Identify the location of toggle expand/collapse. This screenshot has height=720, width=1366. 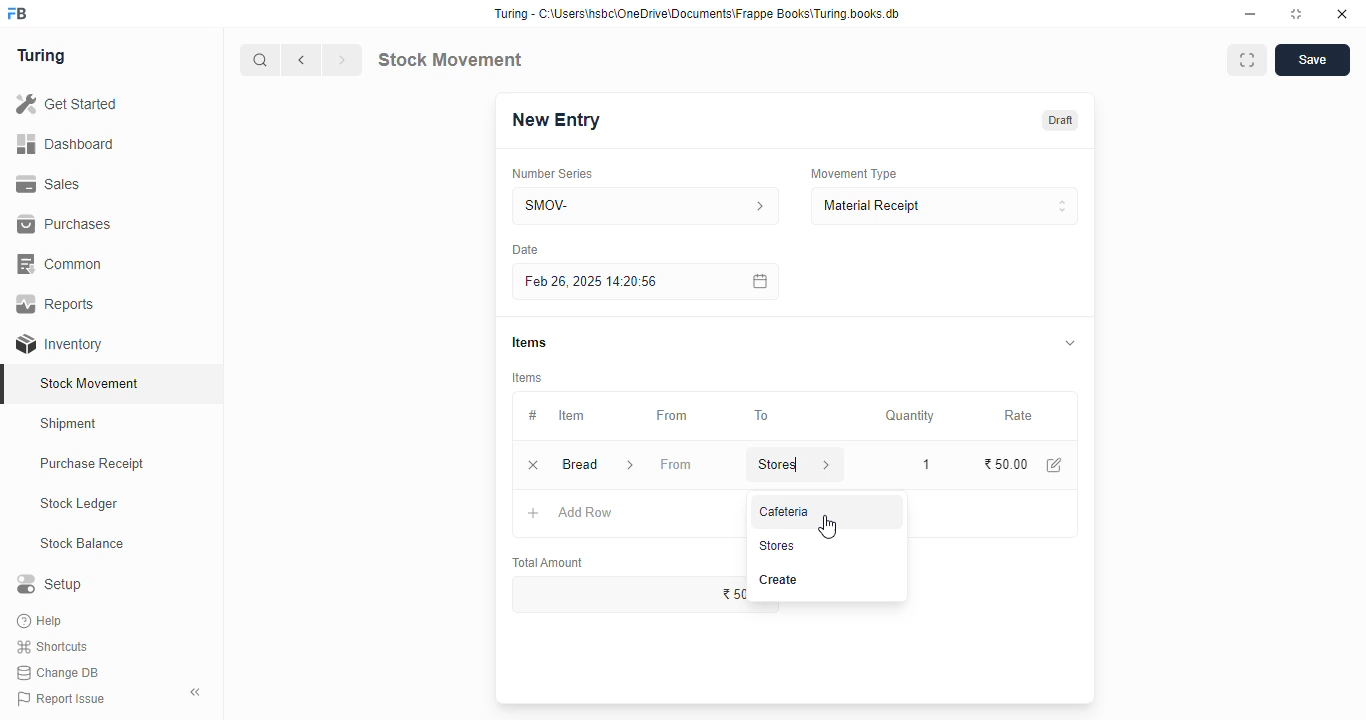
(1071, 342).